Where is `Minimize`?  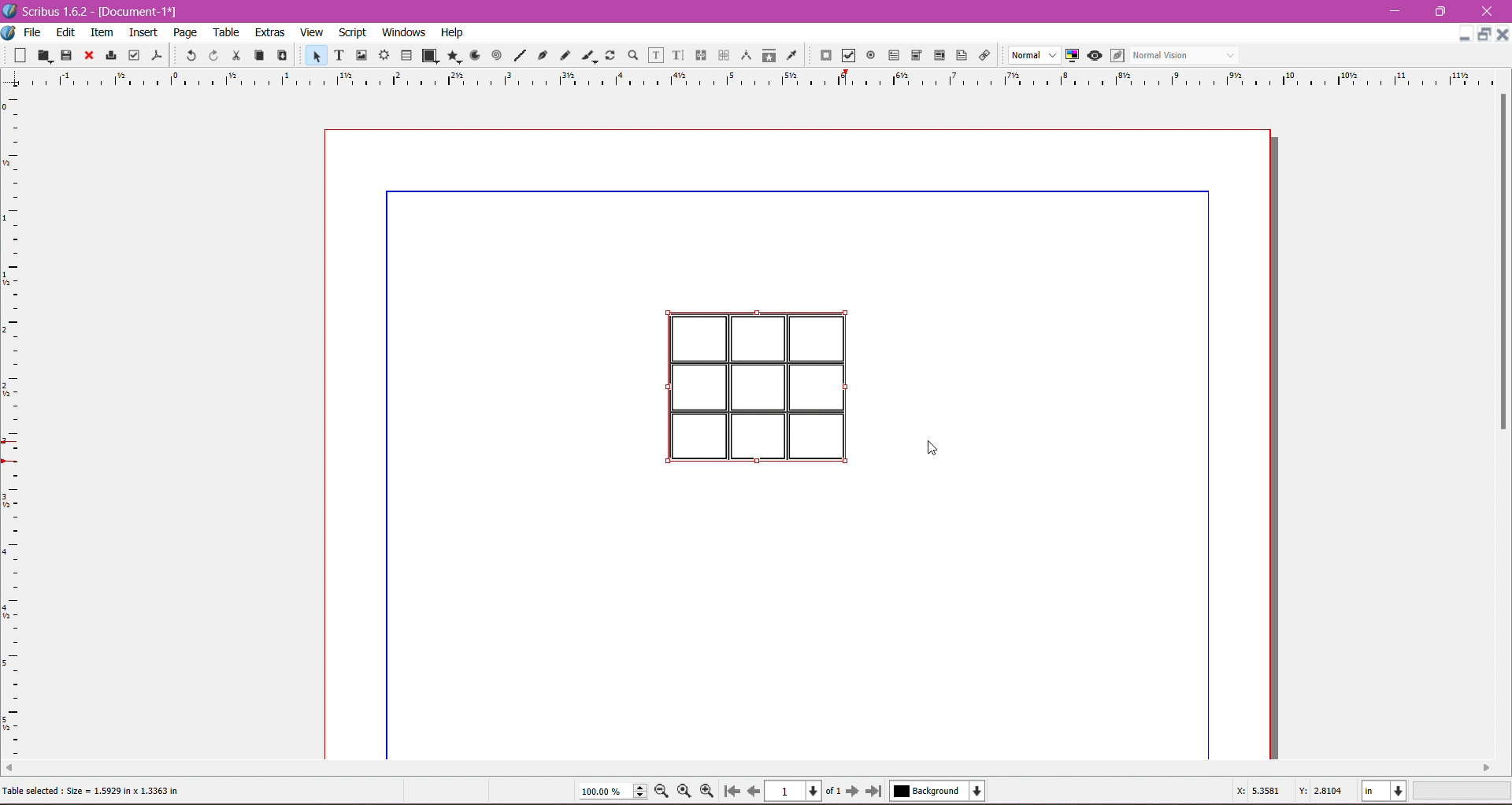 Minimize is located at coordinates (1465, 32).